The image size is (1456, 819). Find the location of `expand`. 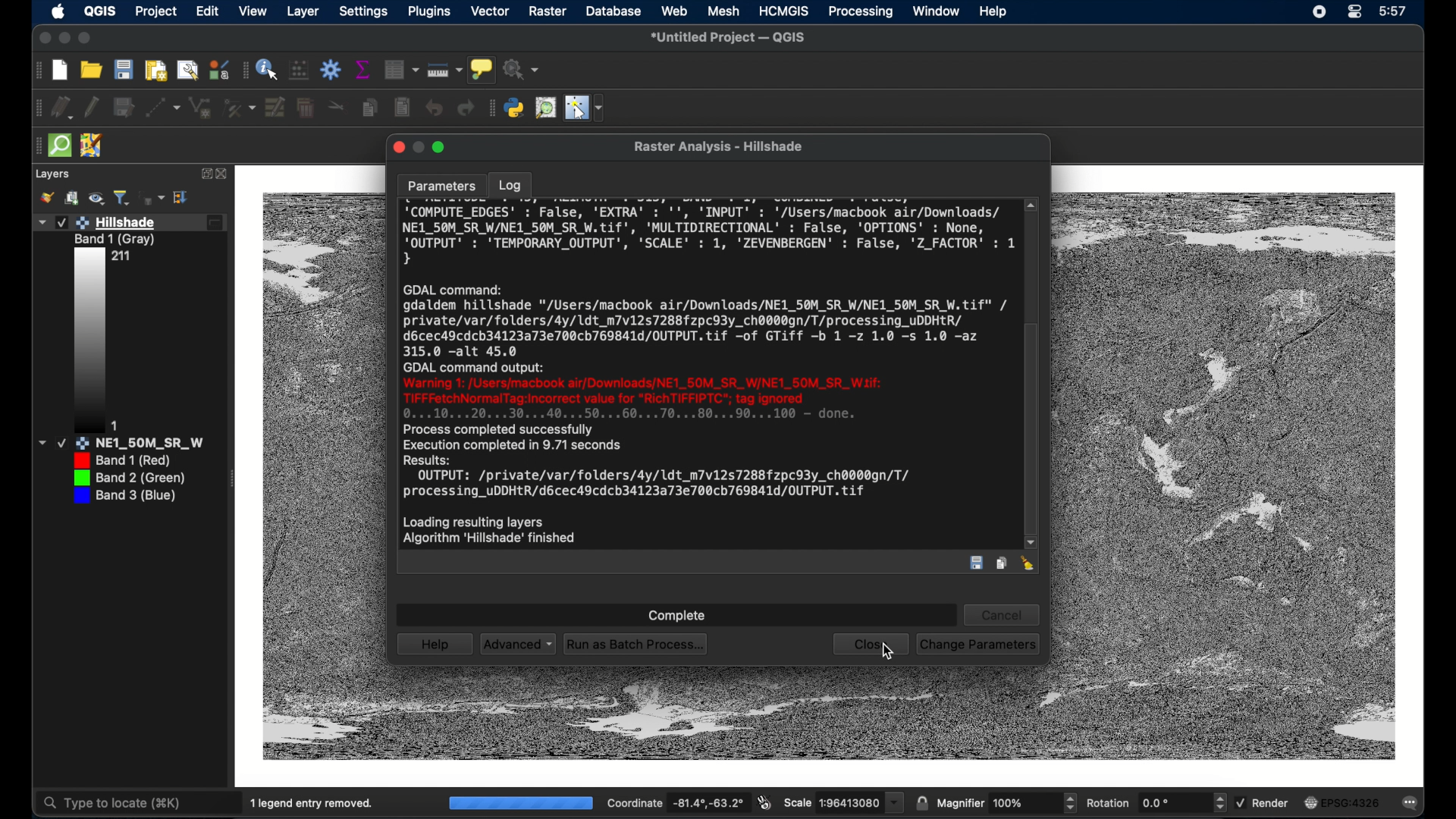

expand is located at coordinates (184, 198).